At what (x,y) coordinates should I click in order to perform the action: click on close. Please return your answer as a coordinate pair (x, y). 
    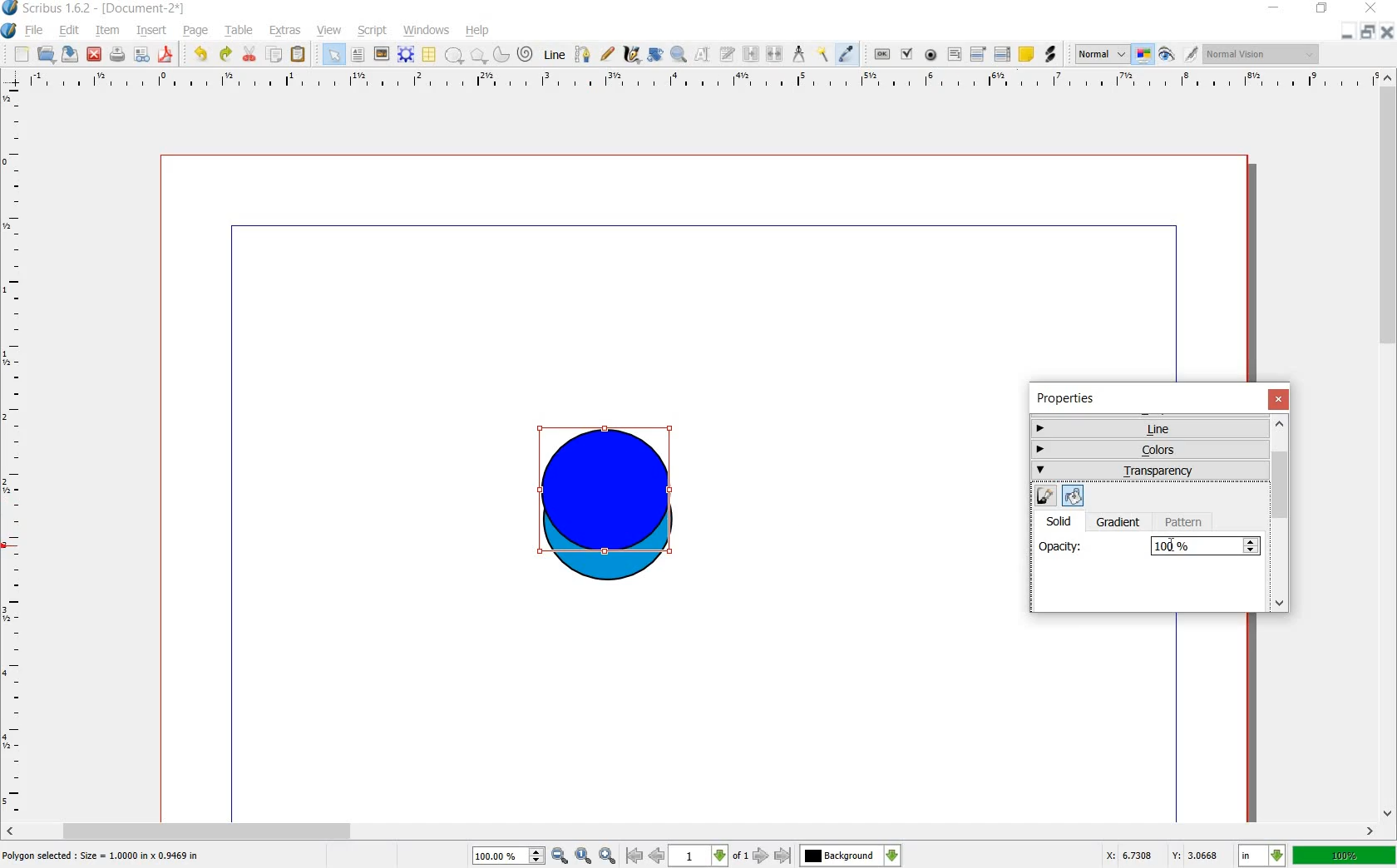
    Looking at the image, I should click on (95, 55).